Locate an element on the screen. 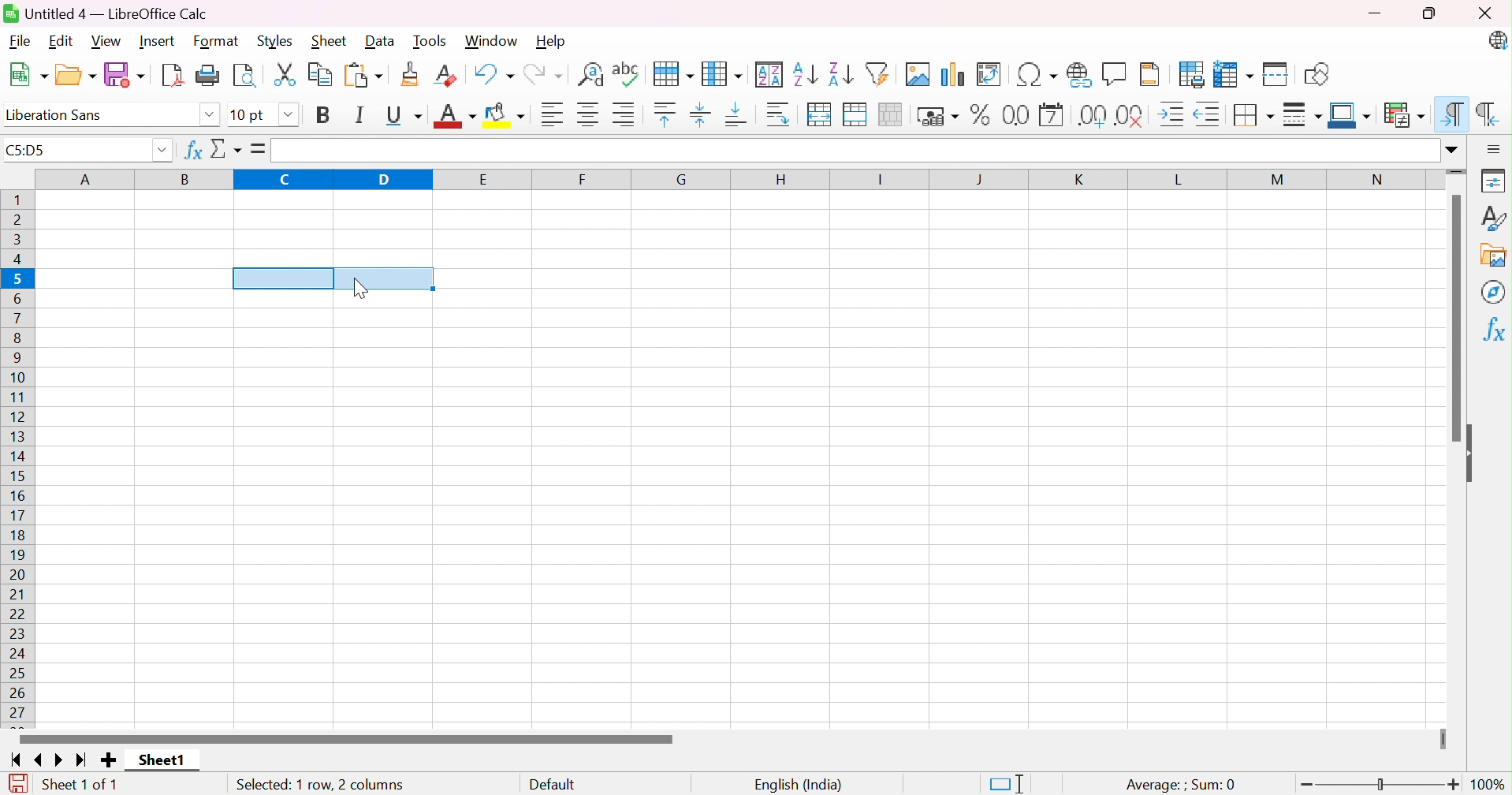 The image size is (1512, 795). Format as Date is located at coordinates (1052, 114).